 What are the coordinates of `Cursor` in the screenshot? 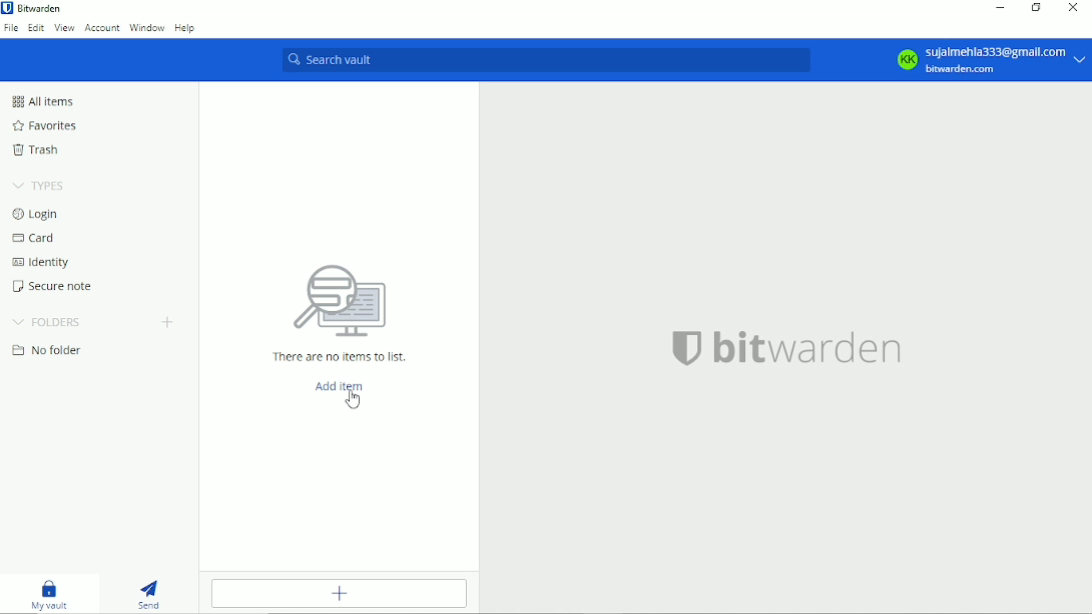 It's located at (352, 399).